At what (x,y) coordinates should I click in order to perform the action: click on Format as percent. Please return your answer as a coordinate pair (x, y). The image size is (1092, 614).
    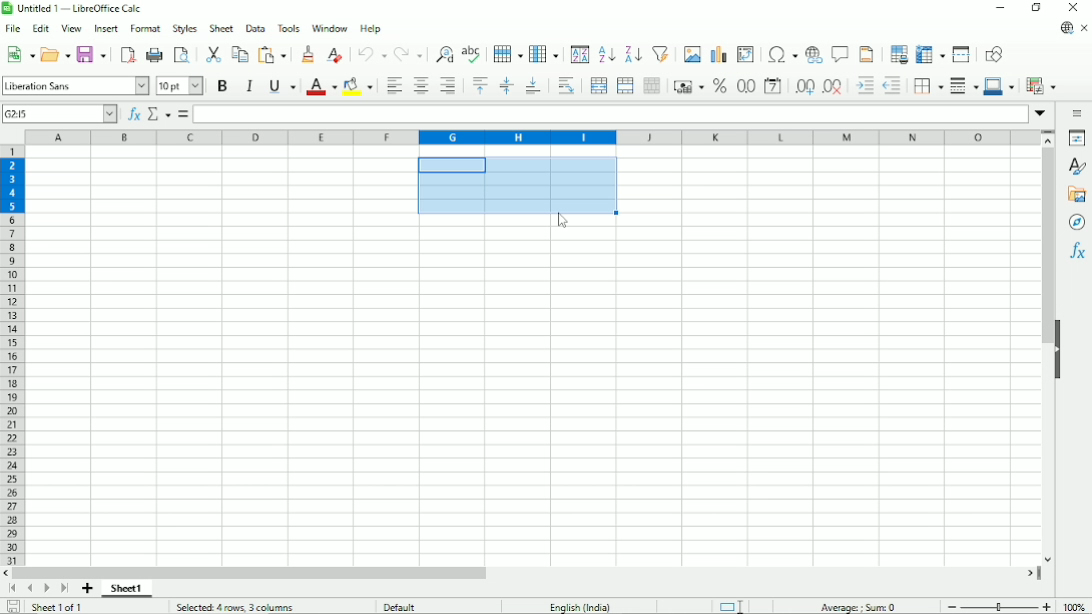
    Looking at the image, I should click on (719, 86).